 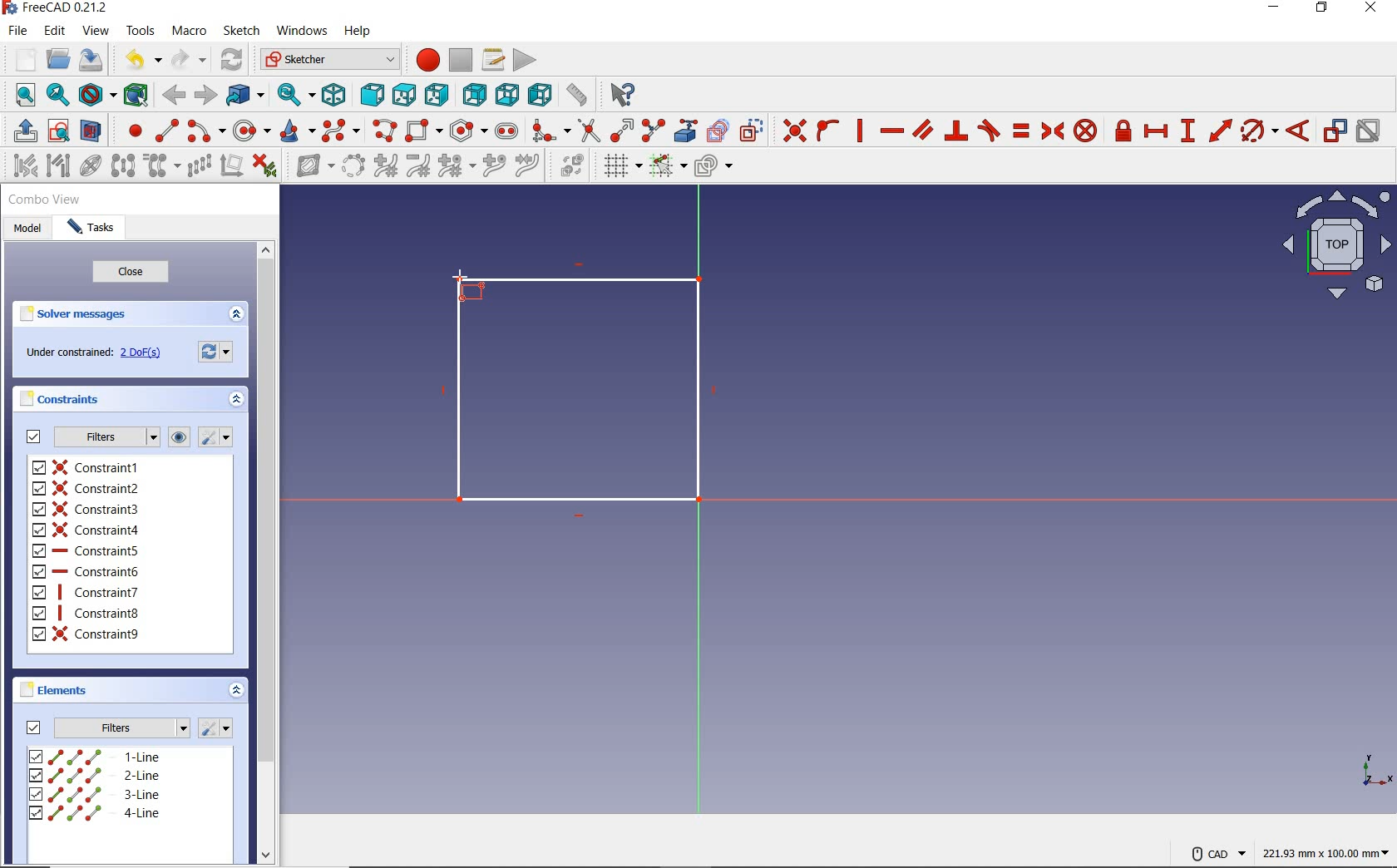 What do you see at coordinates (88, 530) in the screenshot?
I see `constraint4` at bounding box center [88, 530].